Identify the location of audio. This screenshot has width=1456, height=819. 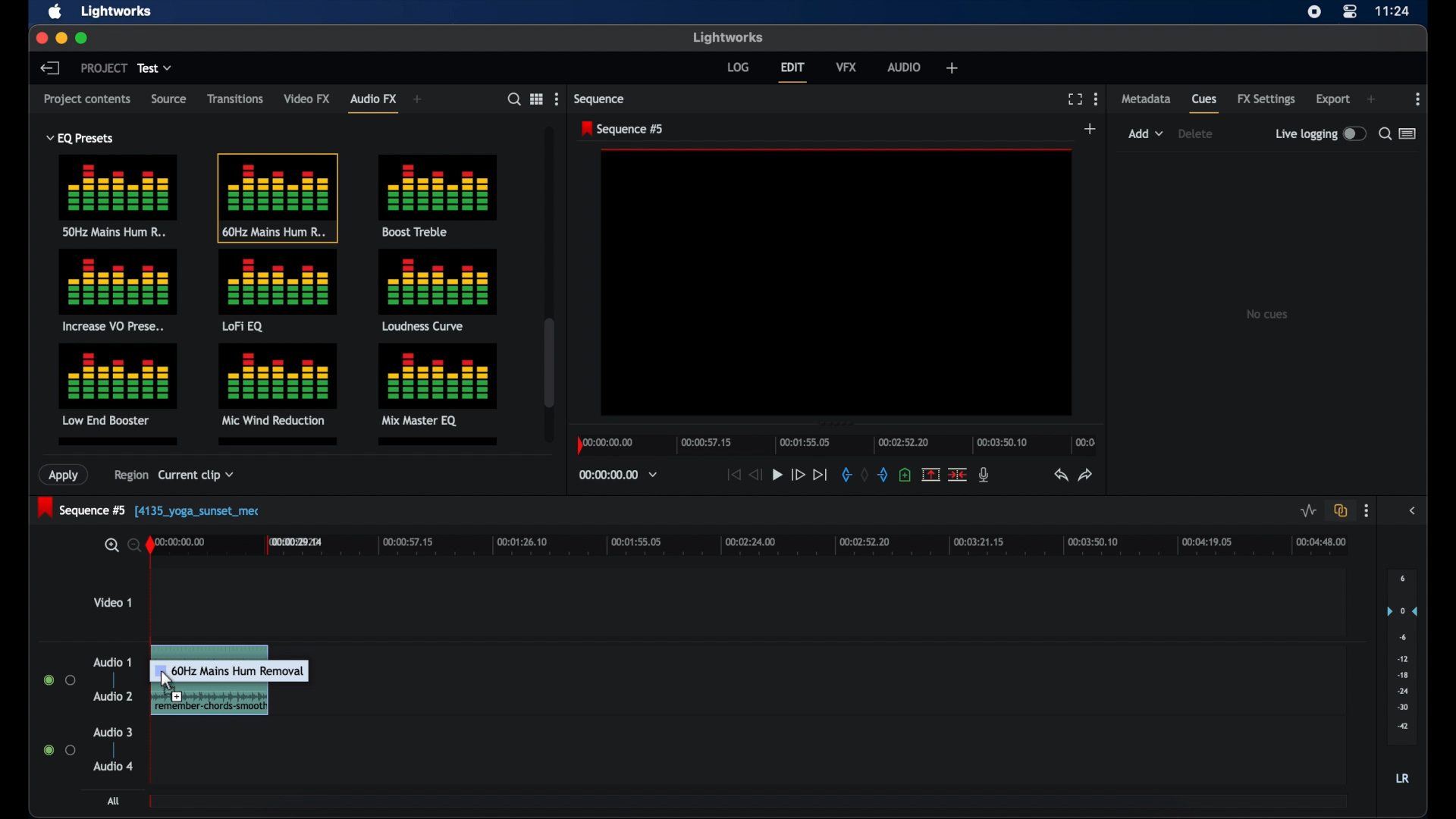
(905, 66).